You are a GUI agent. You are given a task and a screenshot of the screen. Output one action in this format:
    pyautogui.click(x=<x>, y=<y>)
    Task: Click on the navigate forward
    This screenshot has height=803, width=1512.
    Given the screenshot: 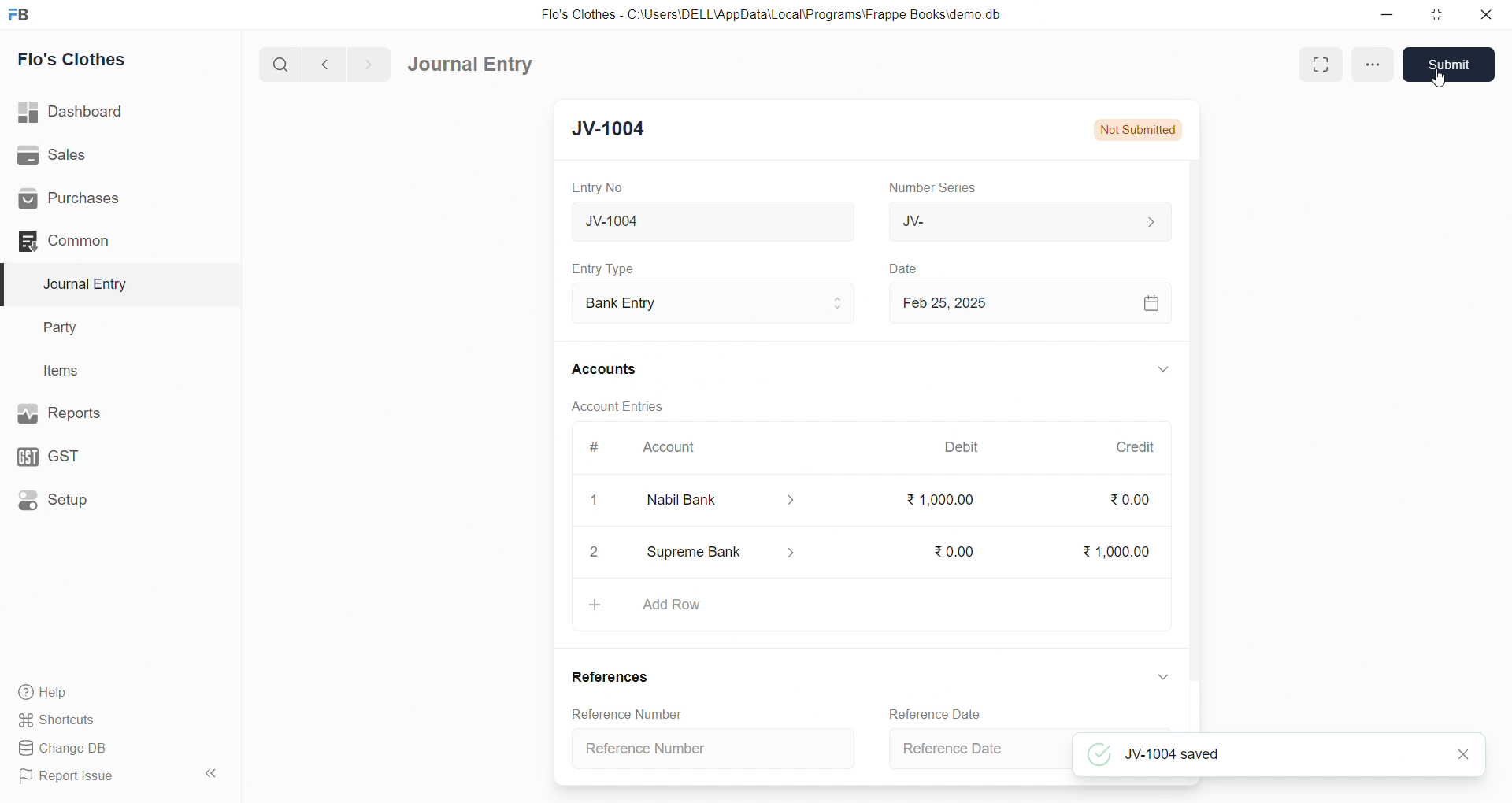 What is the action you would take?
    pyautogui.click(x=368, y=63)
    